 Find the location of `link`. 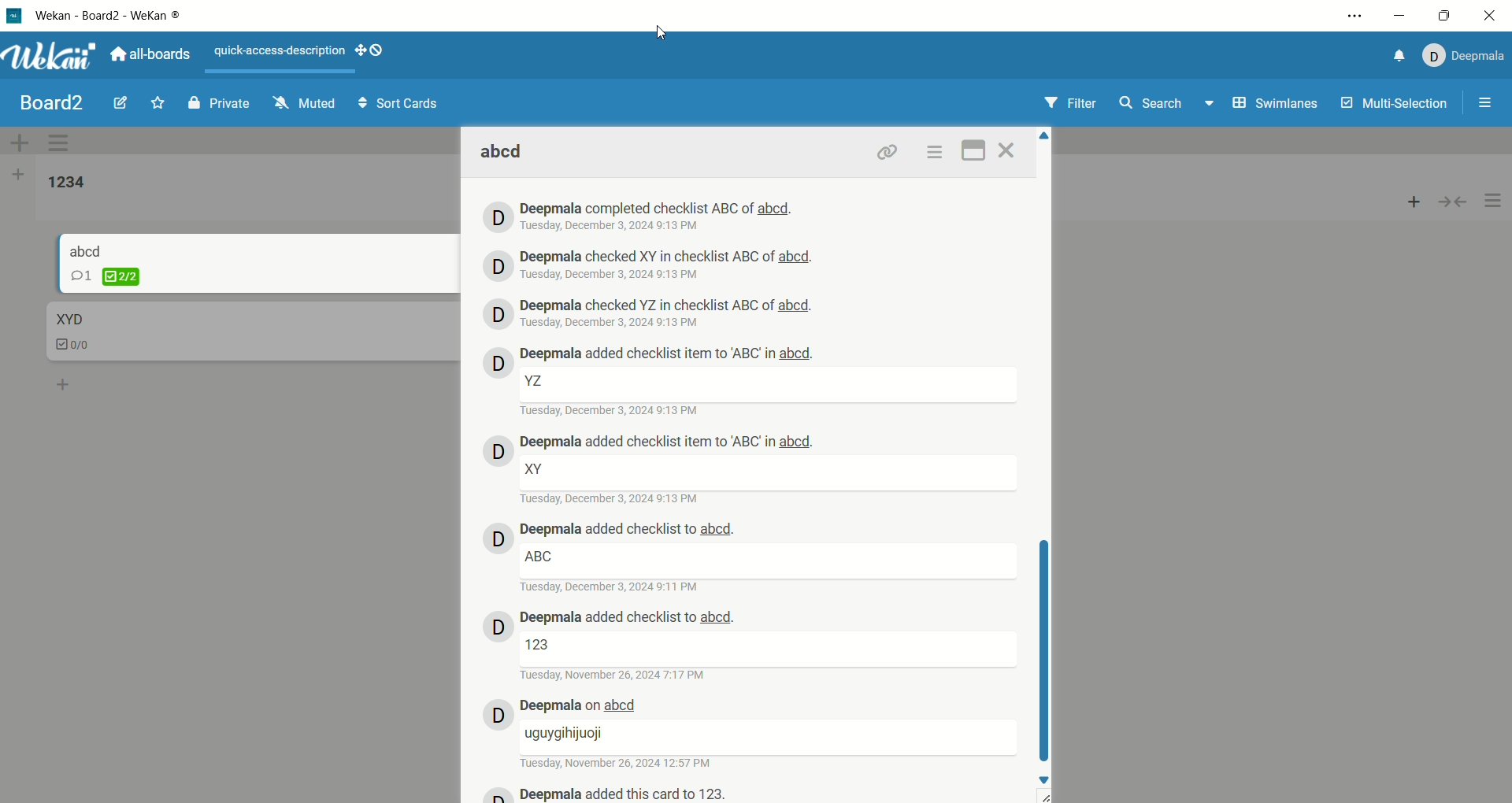

link is located at coordinates (888, 151).